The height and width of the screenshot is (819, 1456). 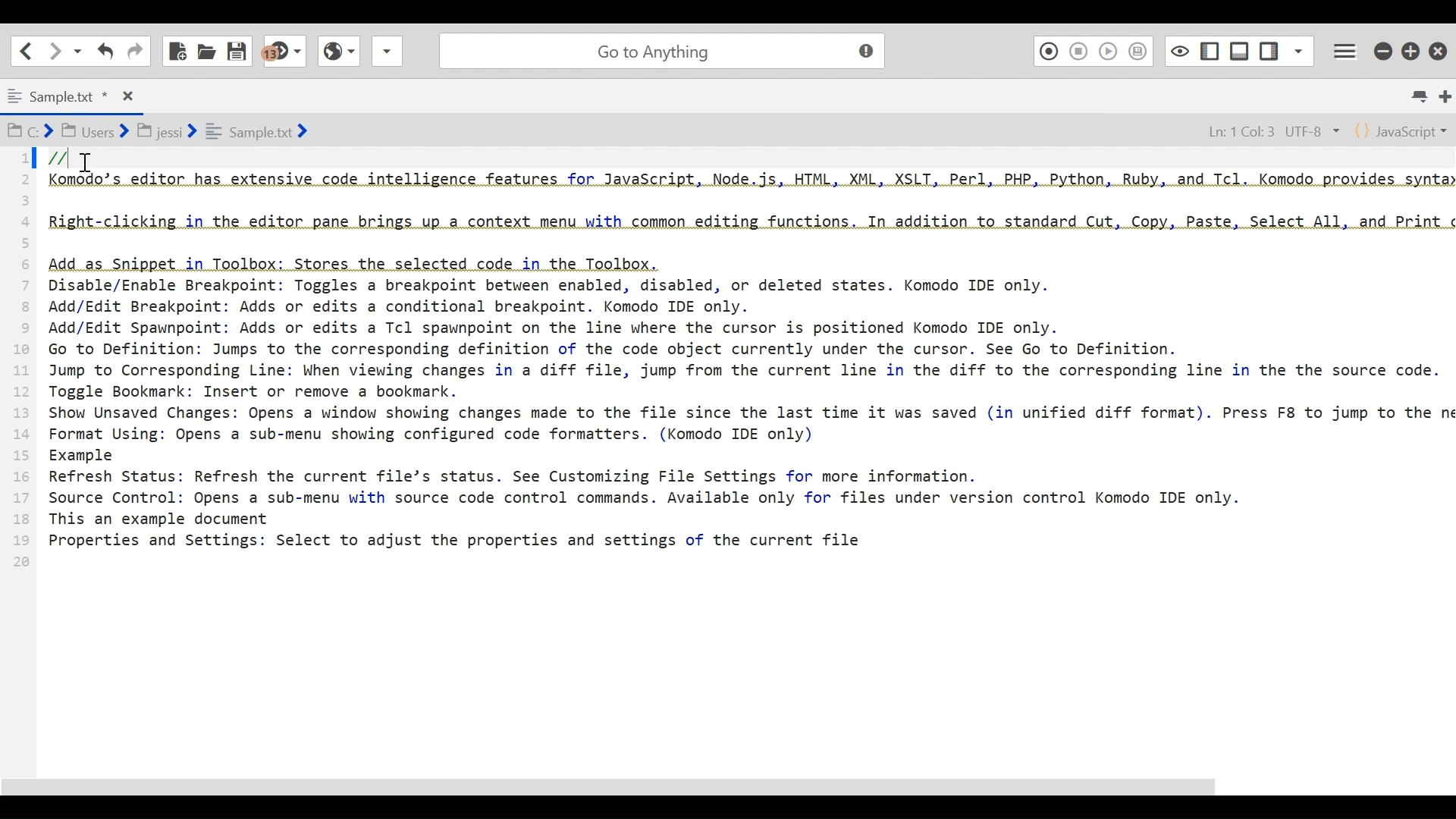 I want to click on Toggle Focus mode, so click(x=1178, y=50).